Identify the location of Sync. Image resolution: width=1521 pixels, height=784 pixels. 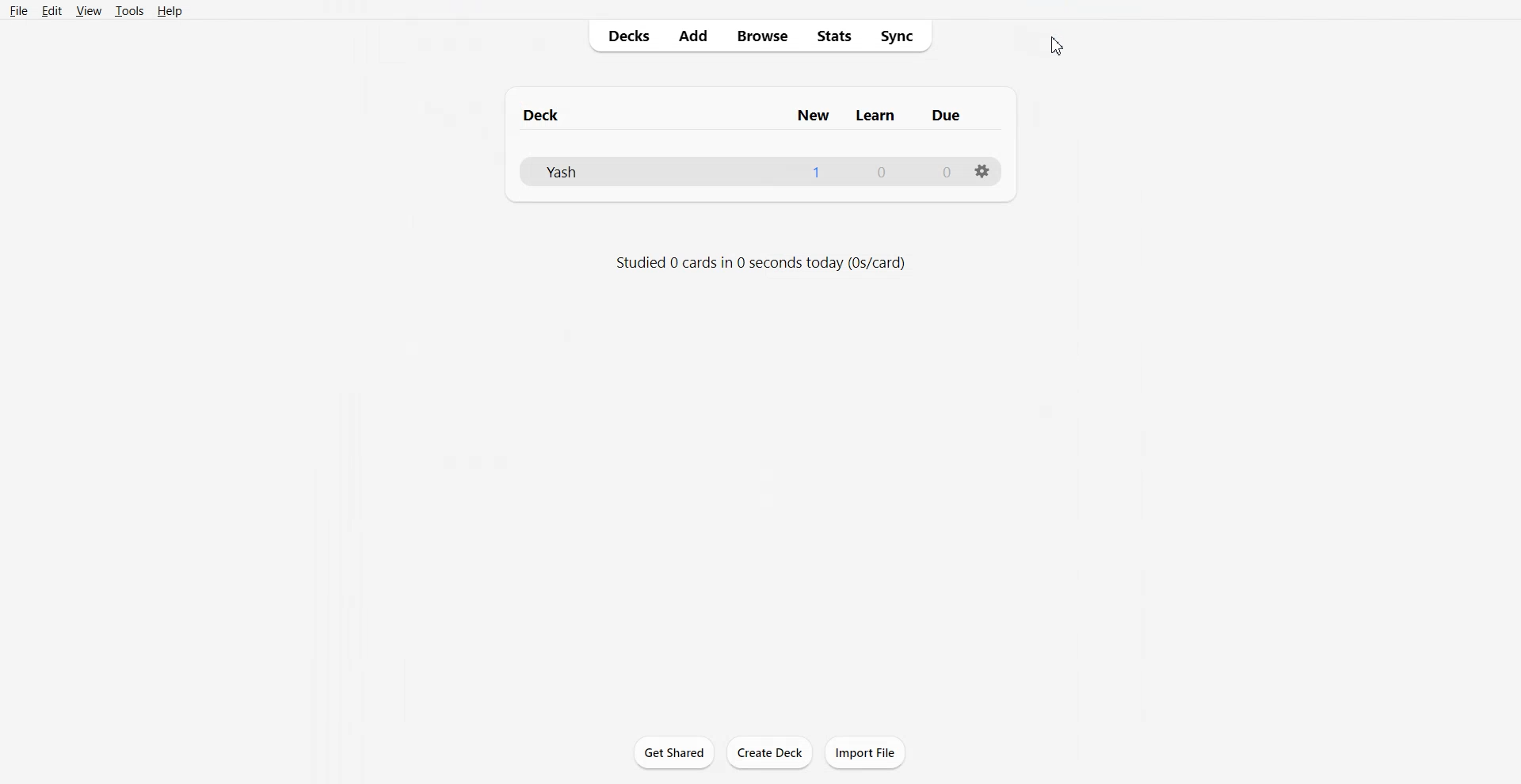
(898, 35).